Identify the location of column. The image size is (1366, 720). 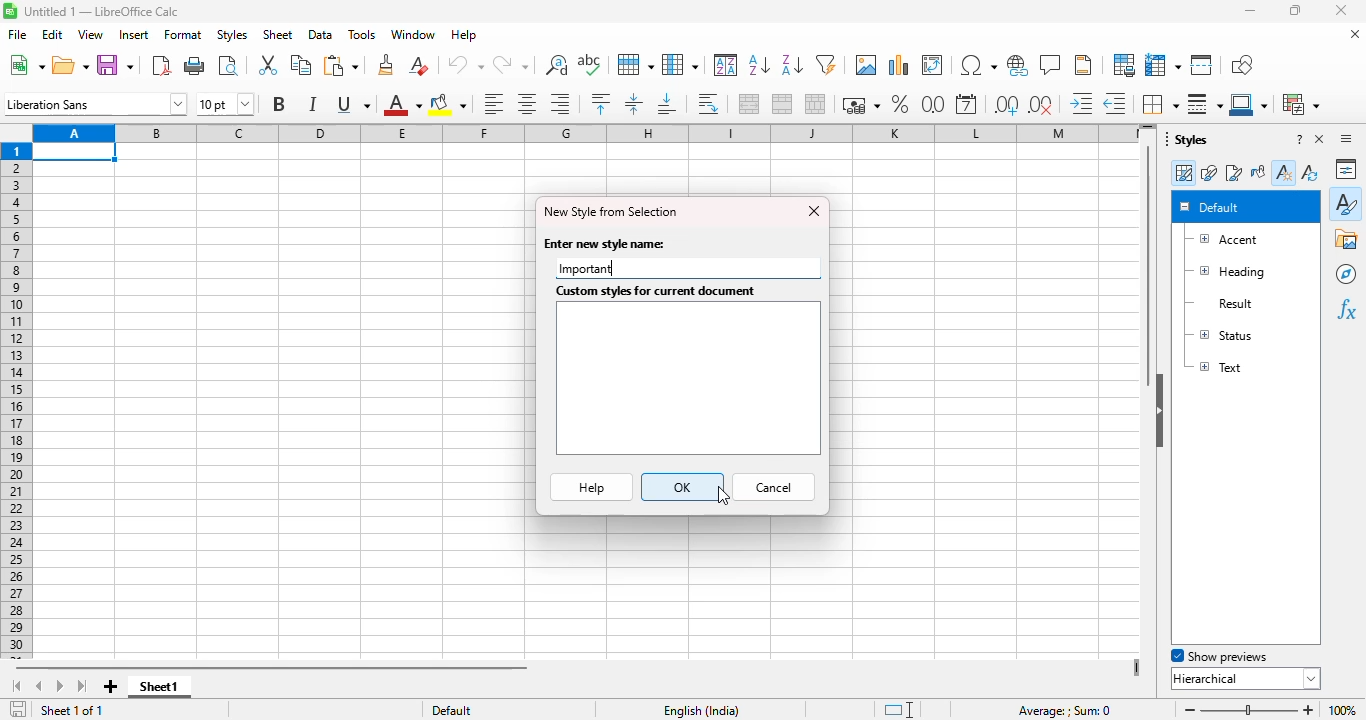
(680, 65).